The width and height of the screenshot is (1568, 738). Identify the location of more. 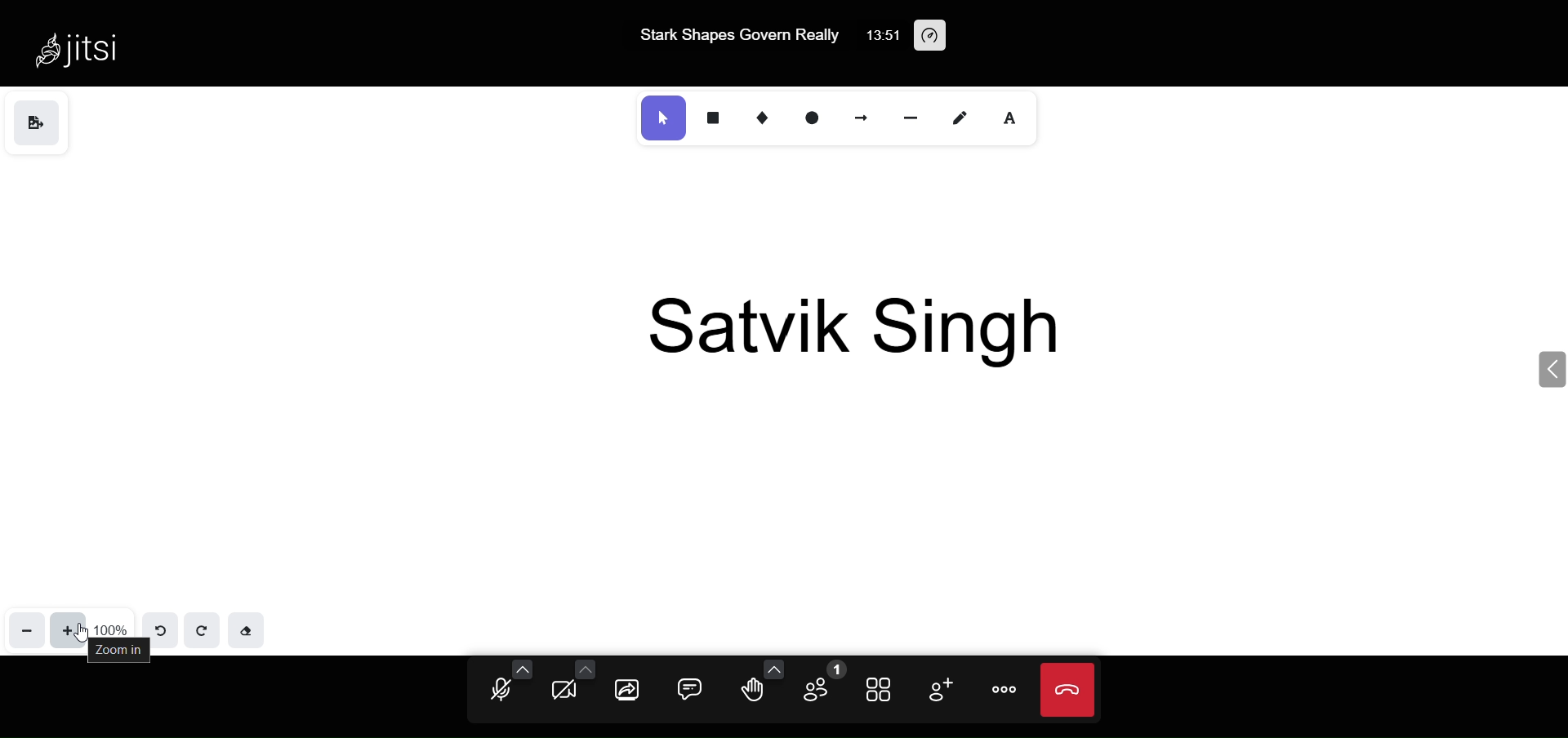
(1005, 690).